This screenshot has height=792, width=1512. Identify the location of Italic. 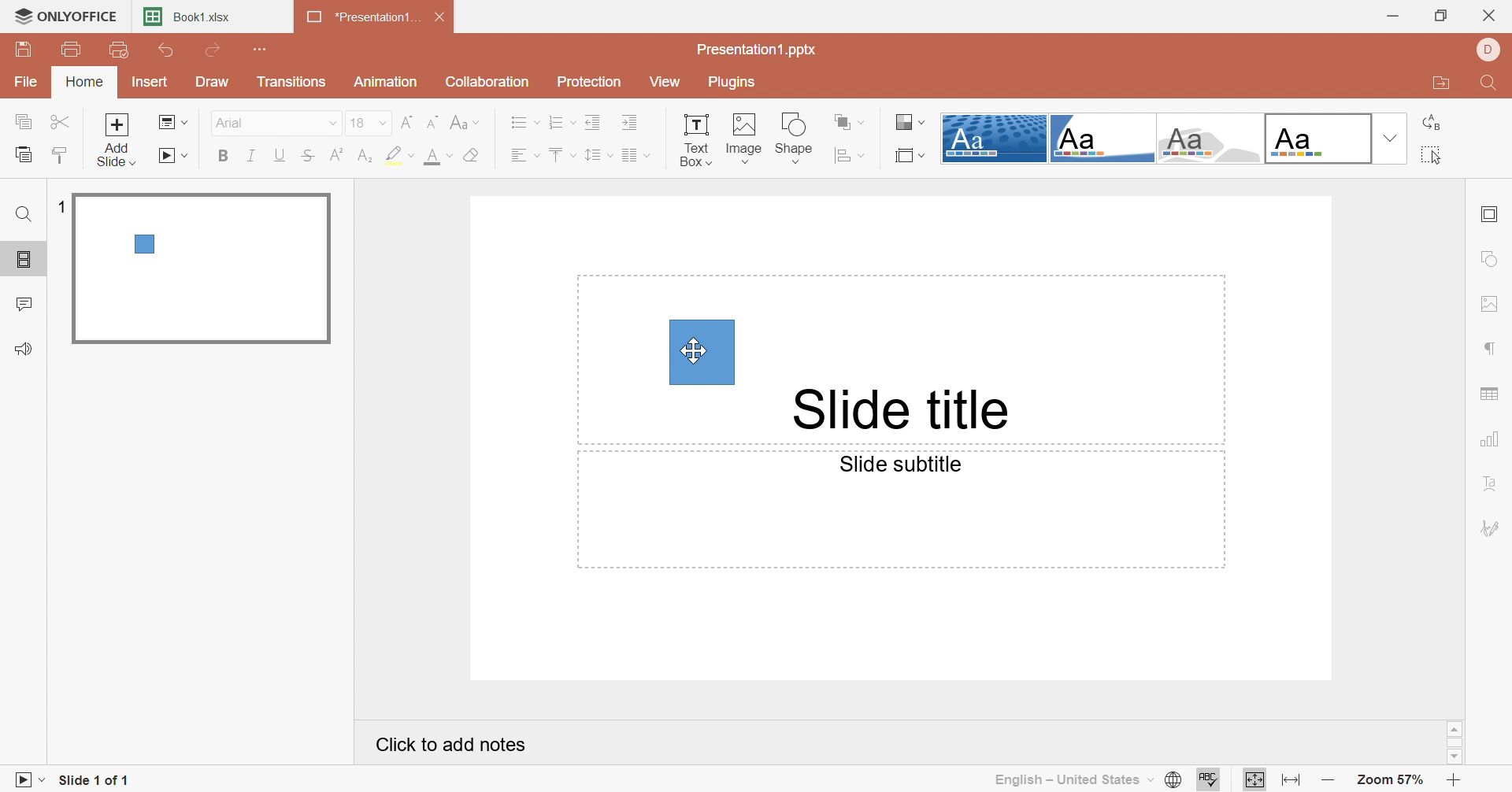
(250, 157).